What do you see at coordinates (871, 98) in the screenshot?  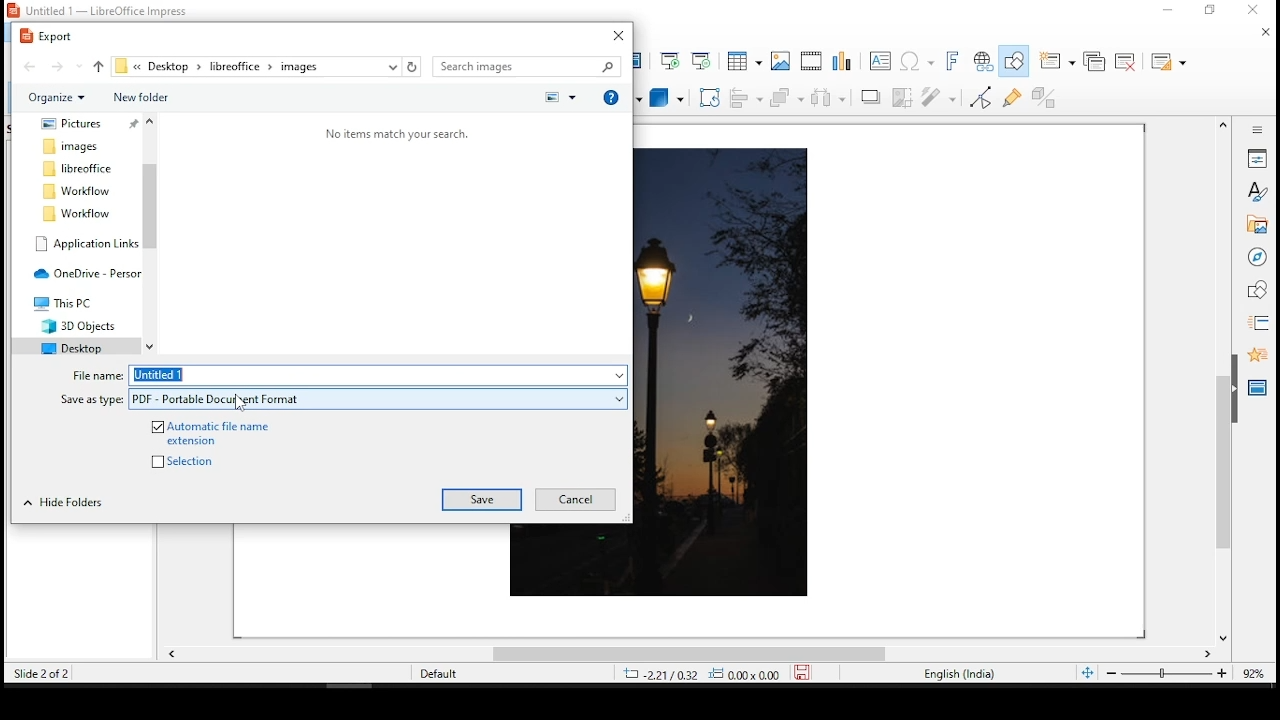 I see `shadow` at bounding box center [871, 98].